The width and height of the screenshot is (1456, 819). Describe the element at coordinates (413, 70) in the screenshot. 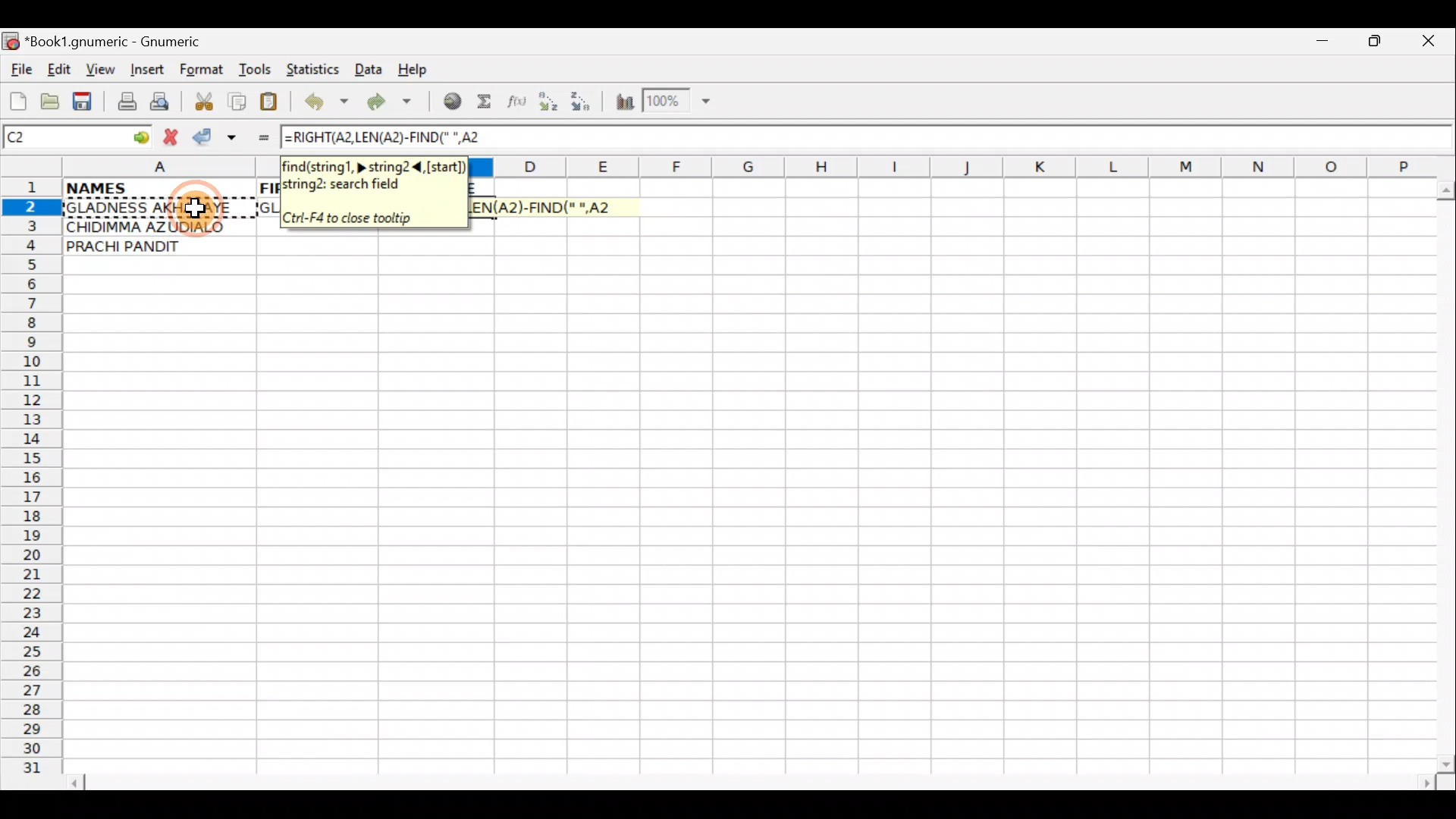

I see `Help` at that location.